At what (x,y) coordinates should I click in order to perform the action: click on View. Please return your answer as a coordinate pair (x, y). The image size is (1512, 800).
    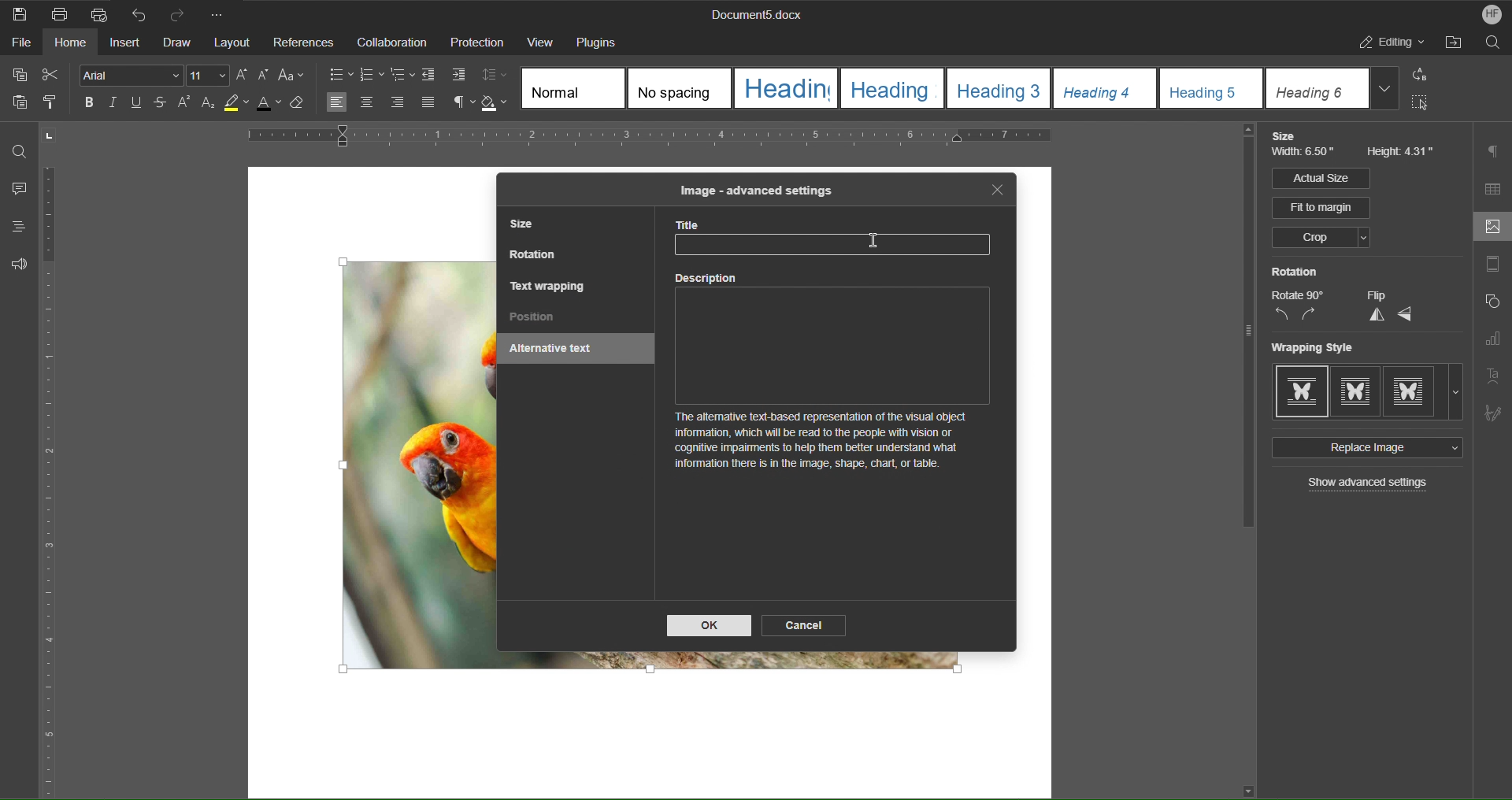
    Looking at the image, I should click on (540, 41).